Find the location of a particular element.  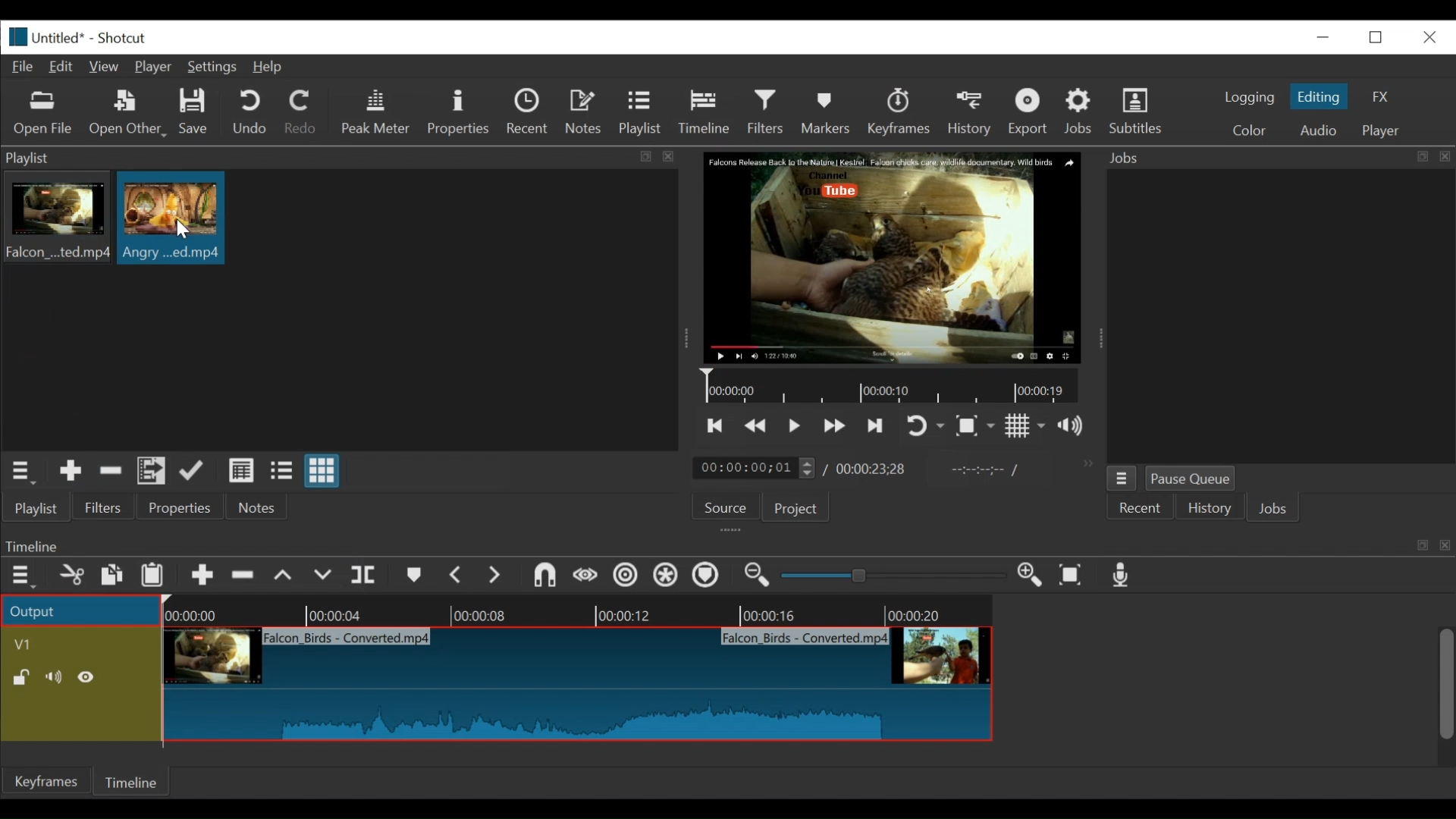

logging is located at coordinates (1248, 97).